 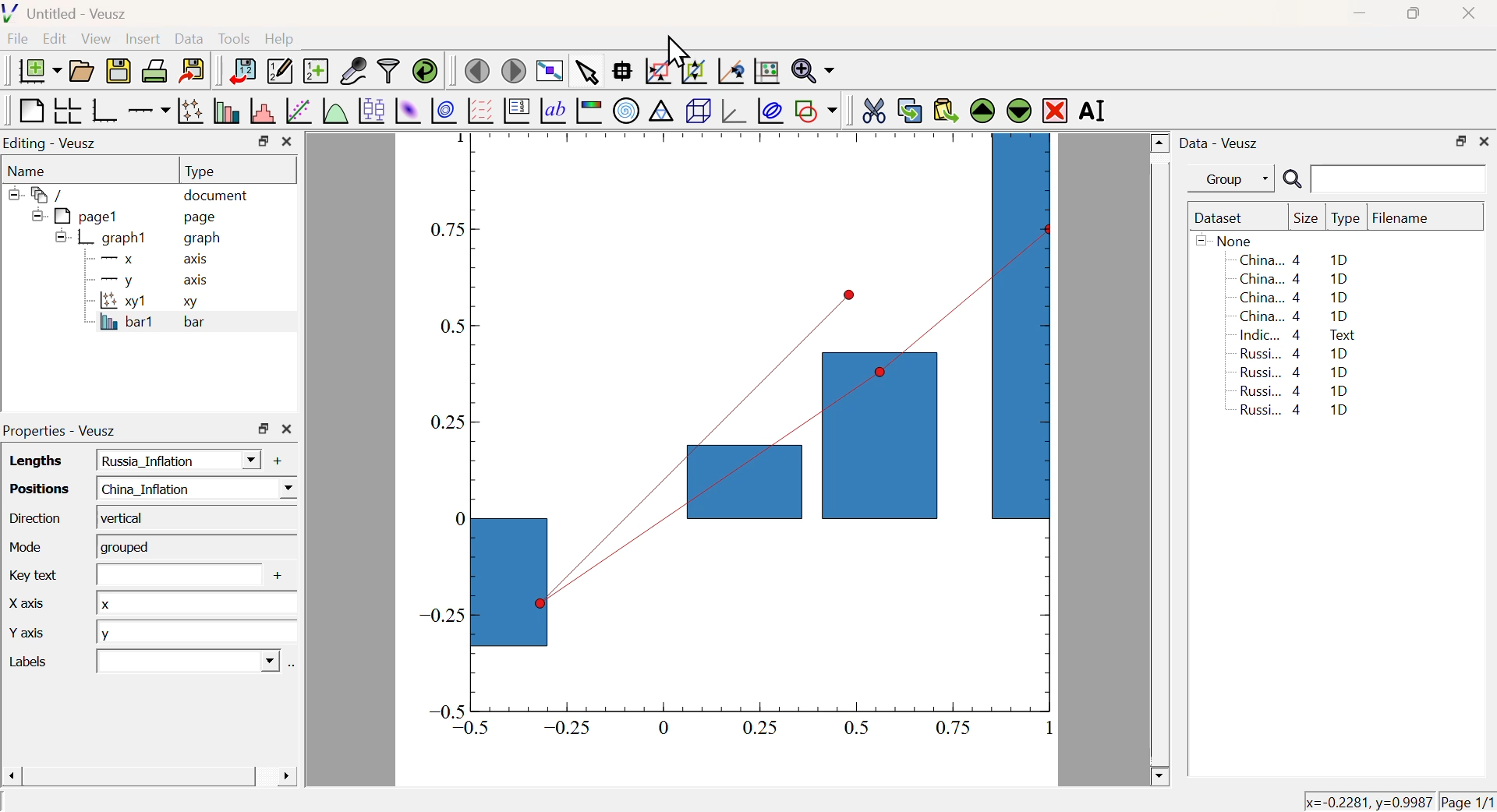 What do you see at coordinates (1291, 390) in the screenshot?
I see `Russi... 4 1D` at bounding box center [1291, 390].